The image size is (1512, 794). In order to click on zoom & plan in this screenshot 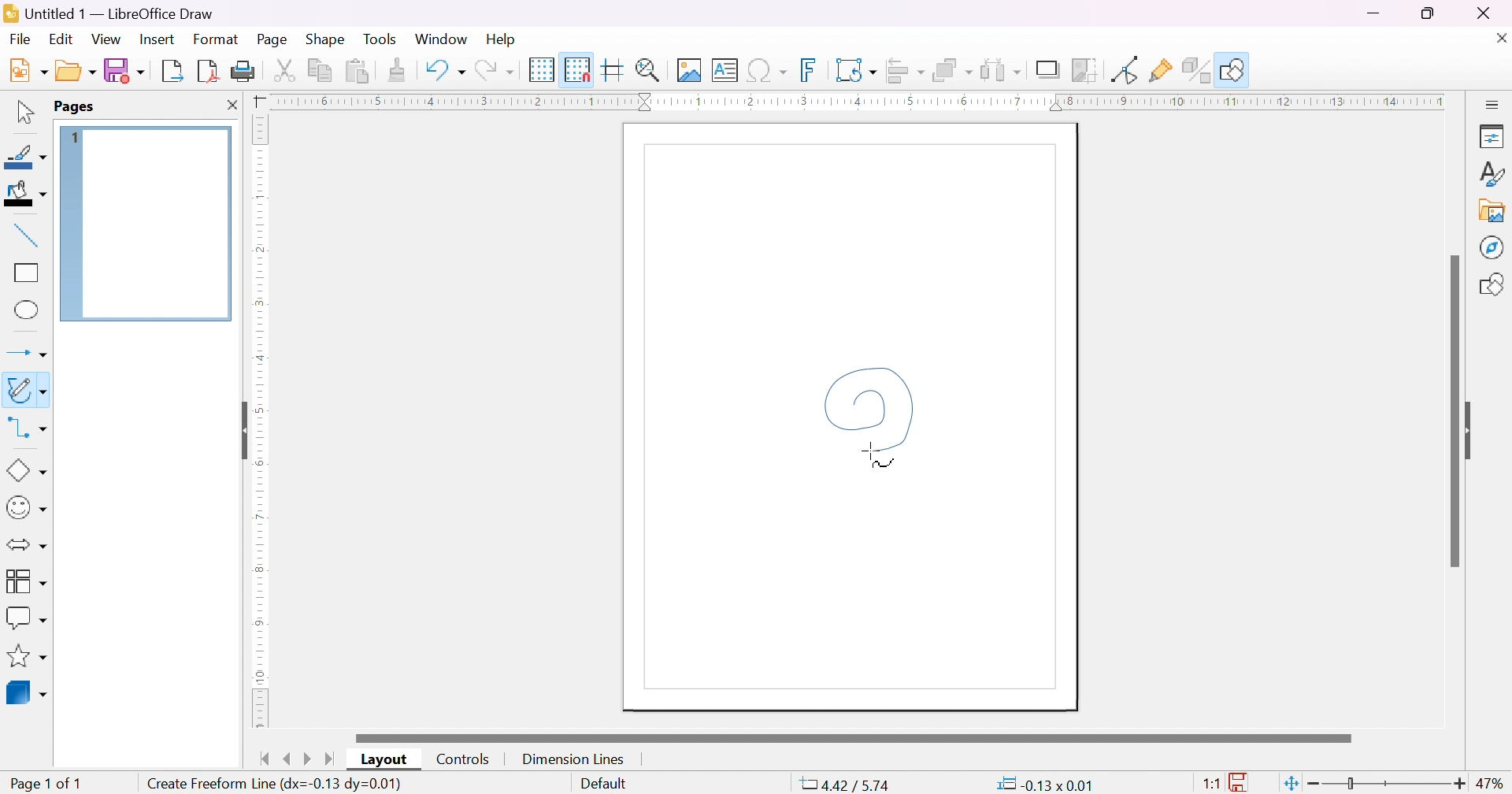, I will do `click(650, 70)`.